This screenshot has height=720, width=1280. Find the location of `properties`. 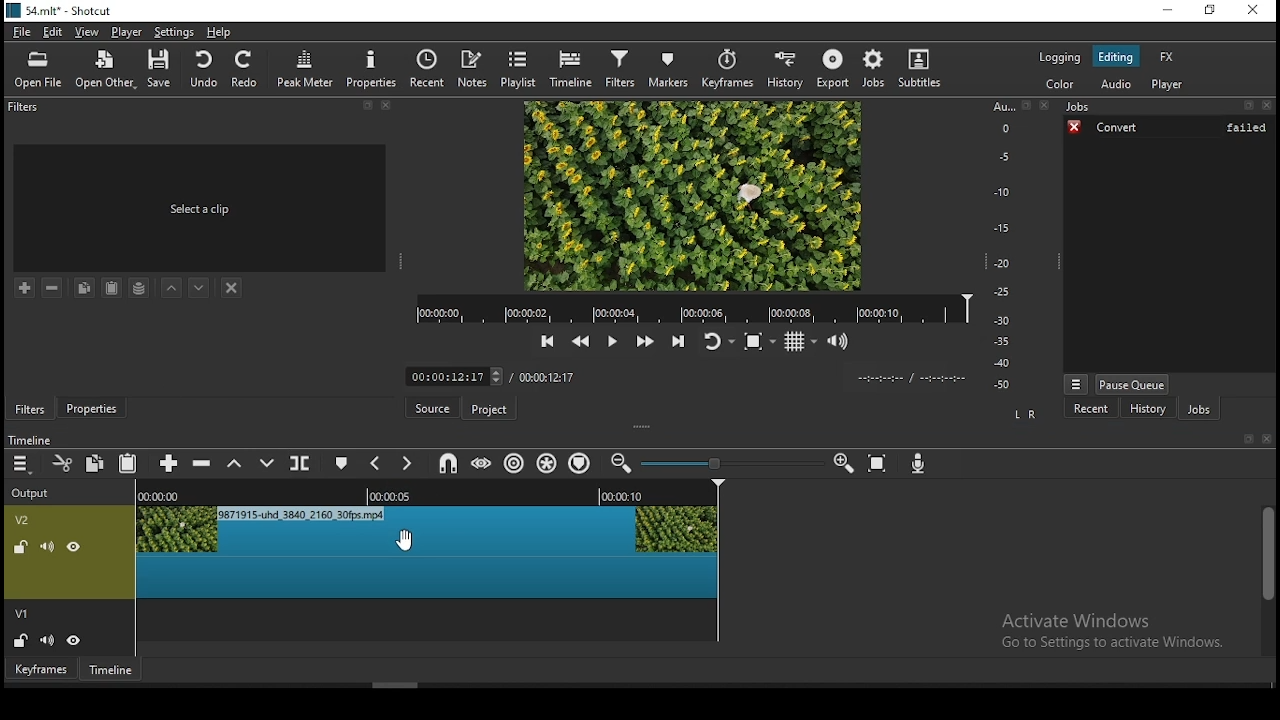

properties is located at coordinates (370, 68).